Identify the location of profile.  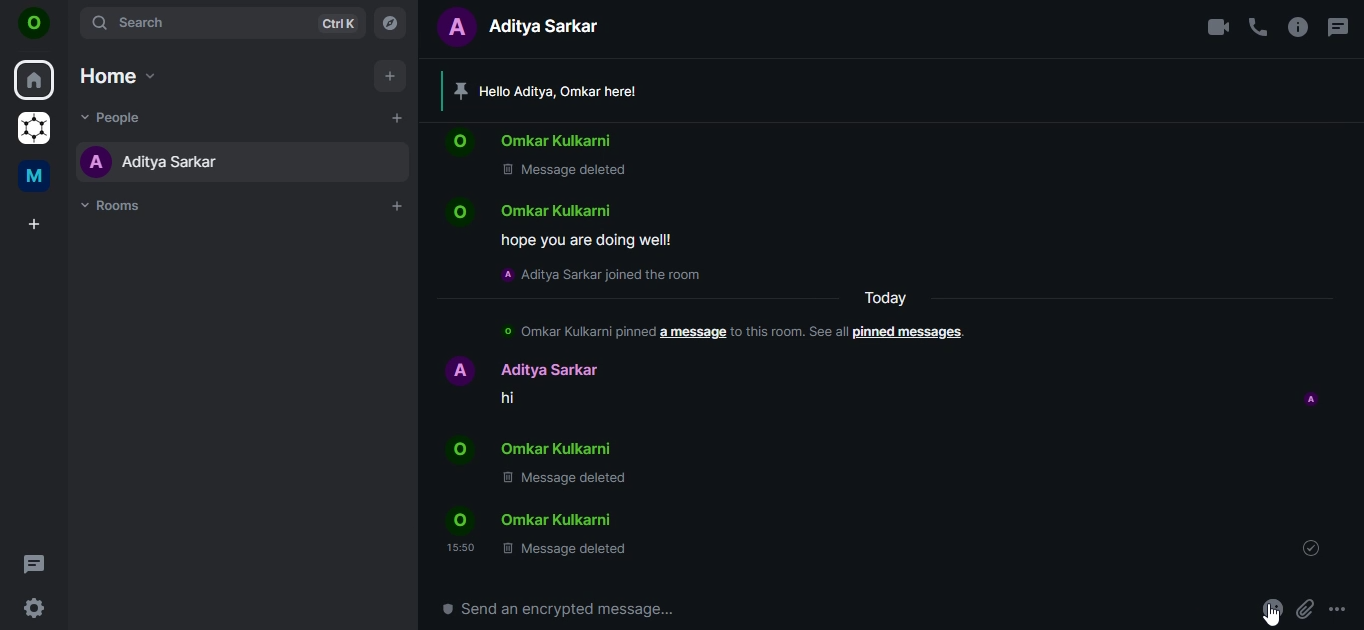
(1311, 399).